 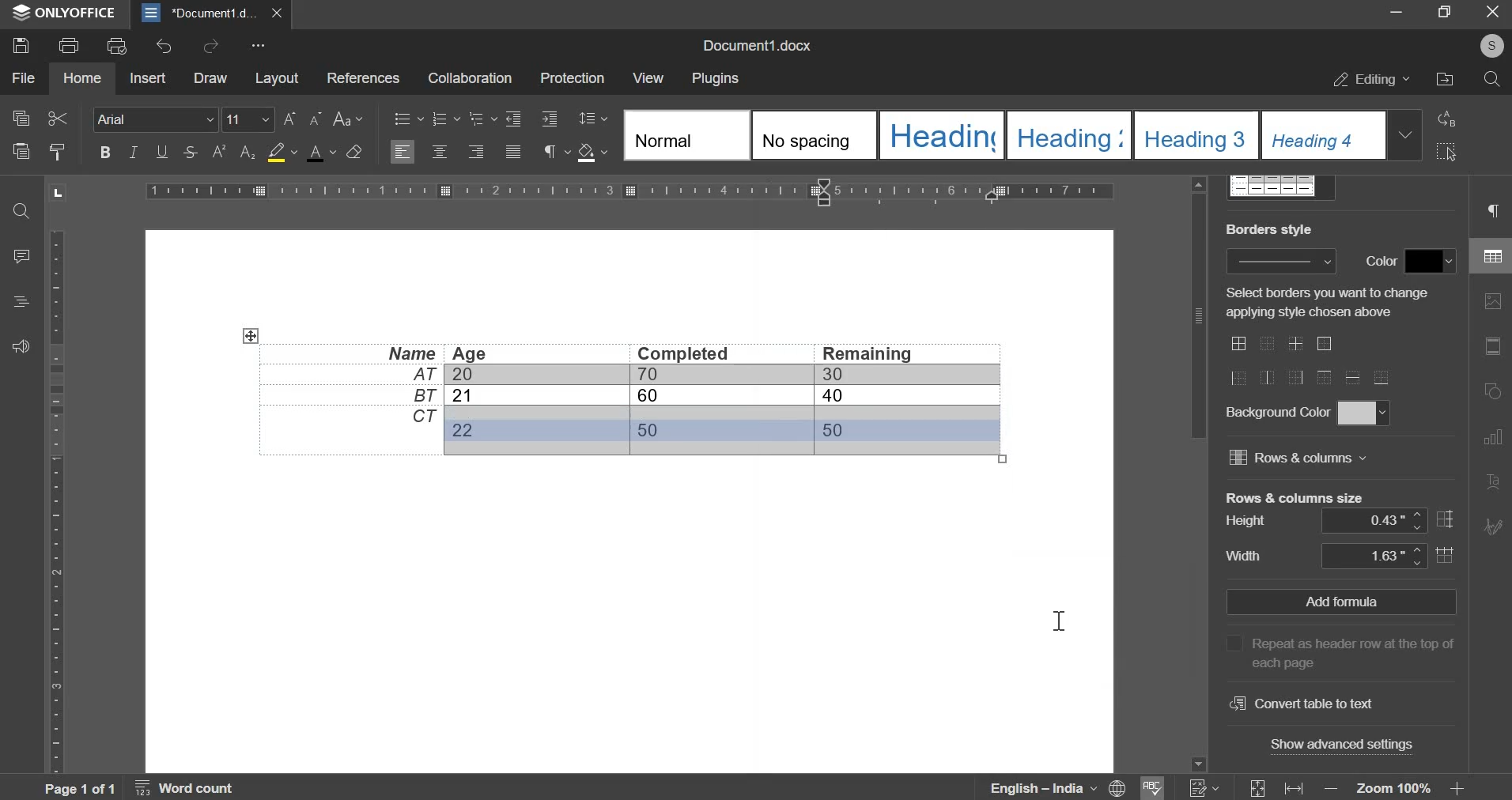 I want to click on fit, so click(x=1275, y=787).